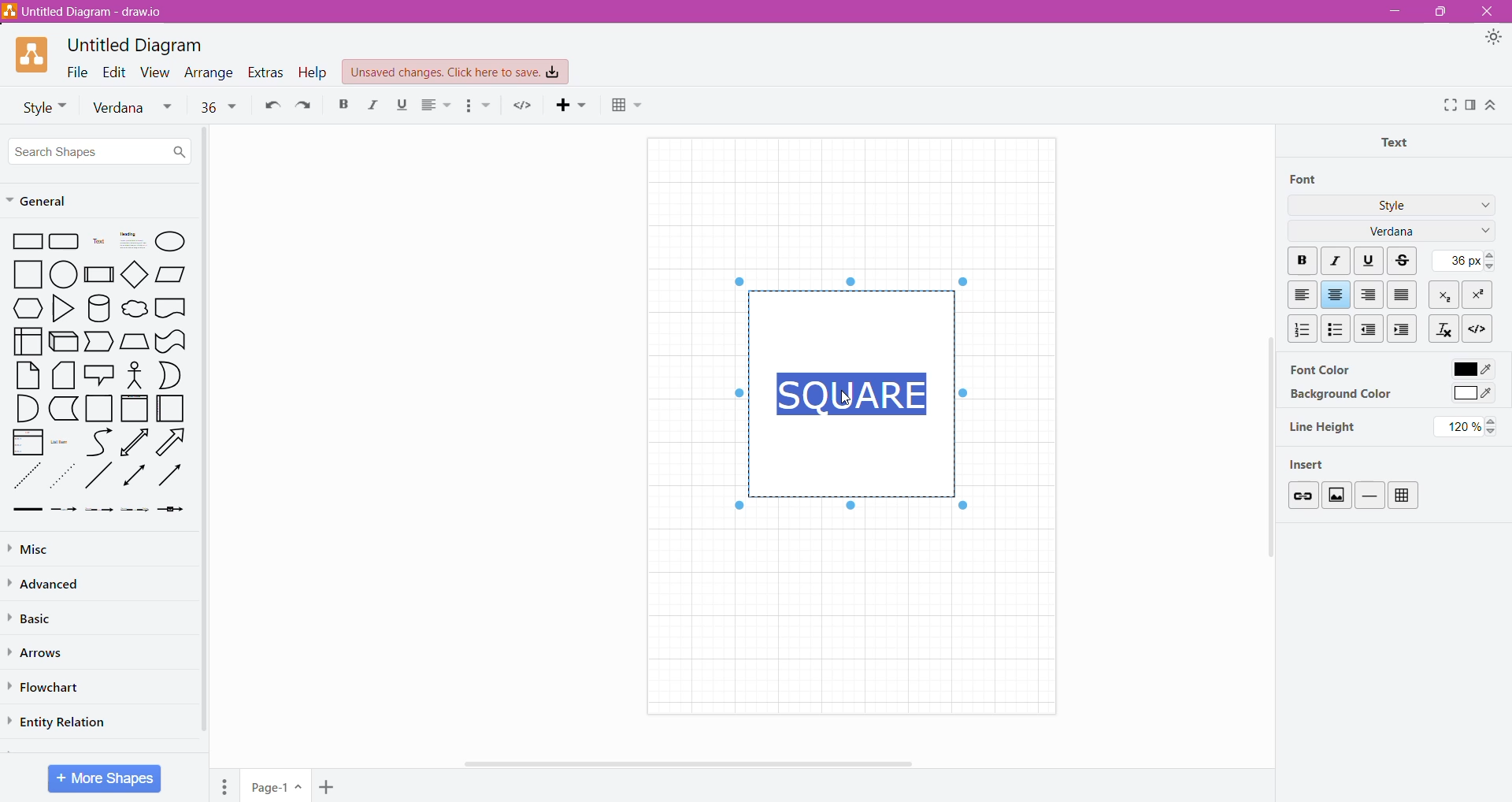  What do you see at coordinates (62, 477) in the screenshot?
I see `Dotted Arrow ` at bounding box center [62, 477].